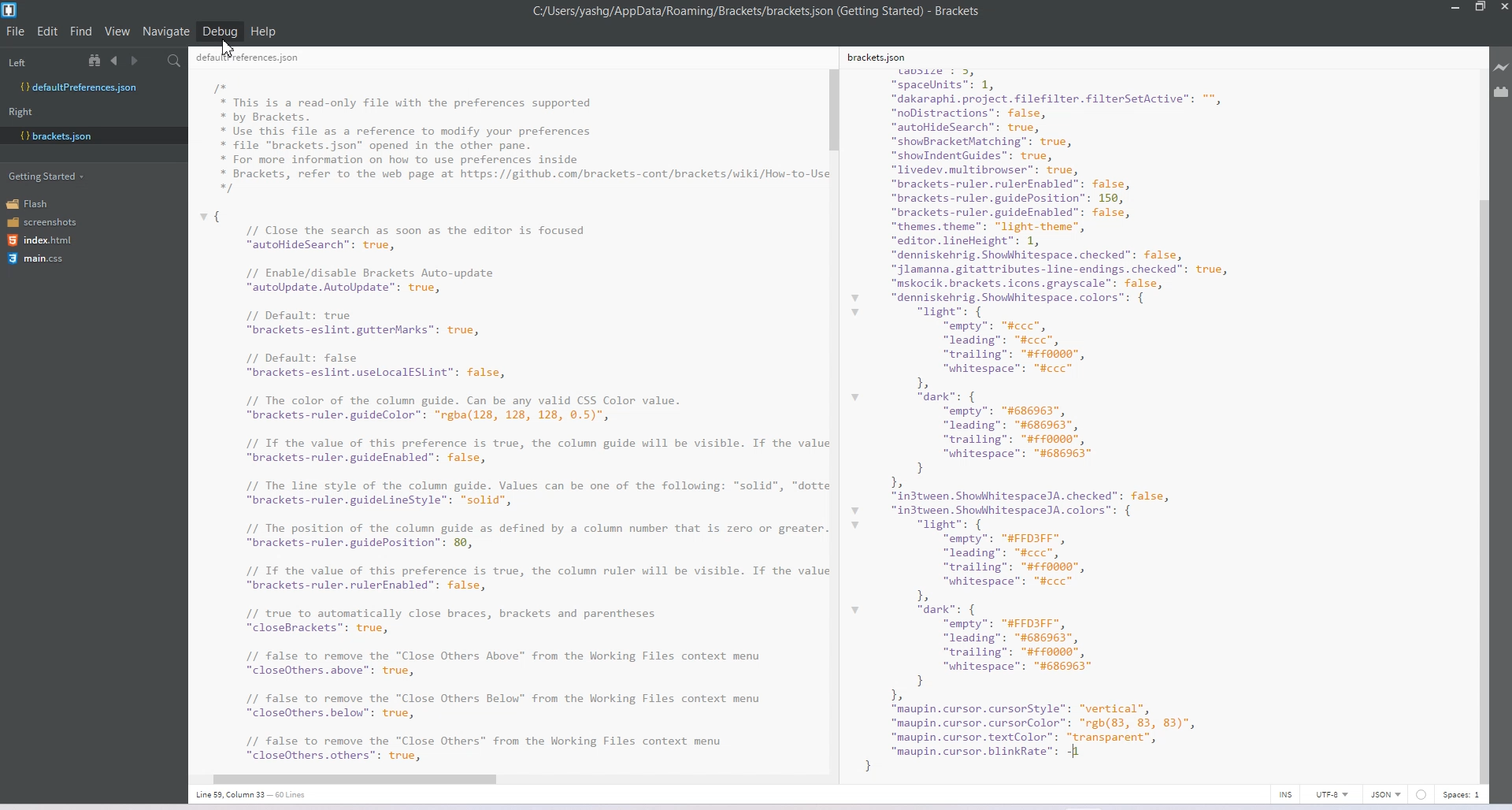 This screenshot has width=1512, height=810. I want to click on Debug, so click(220, 31).